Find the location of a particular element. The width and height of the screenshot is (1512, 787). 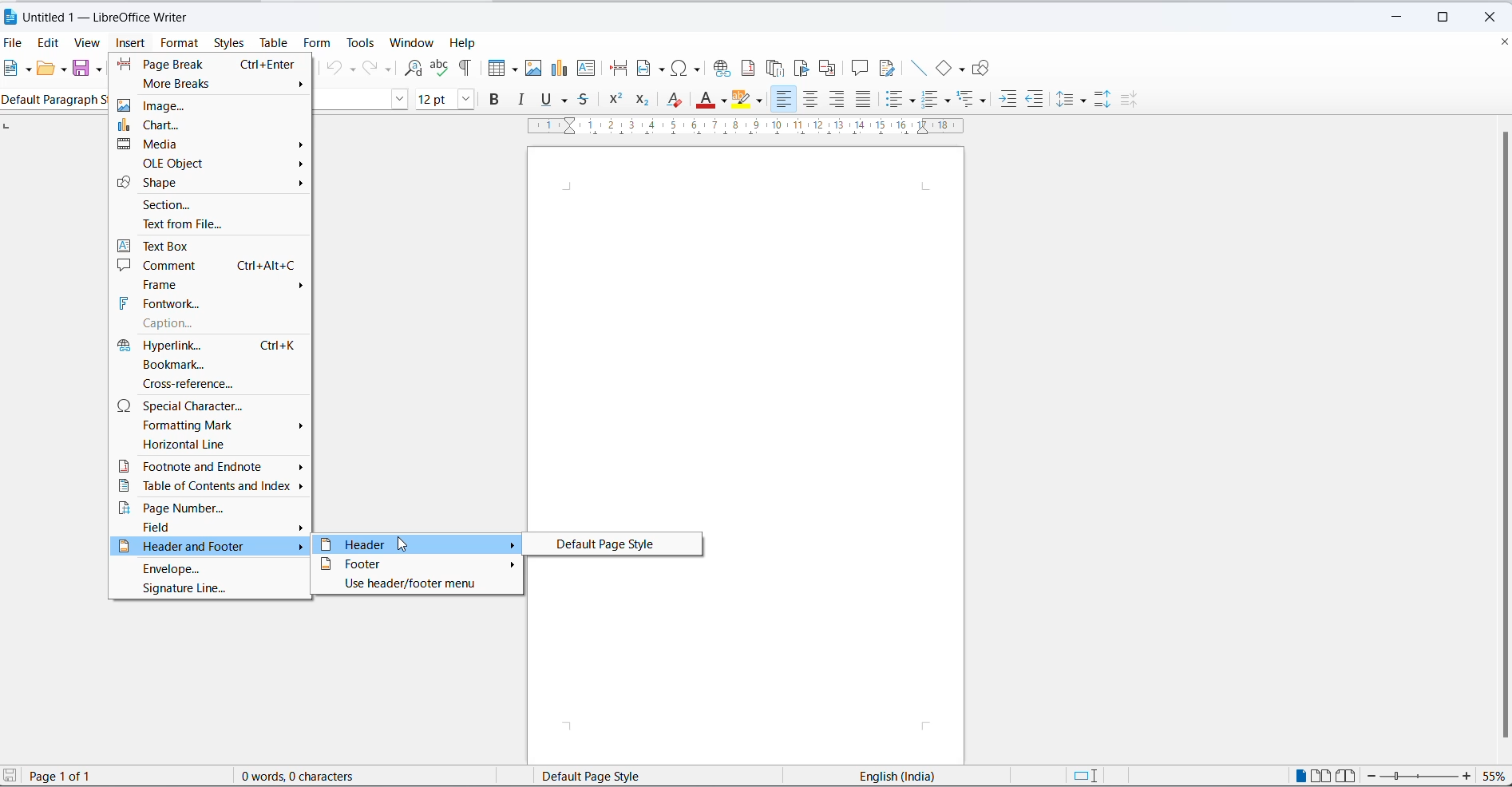

horizontal line is located at coordinates (212, 449).